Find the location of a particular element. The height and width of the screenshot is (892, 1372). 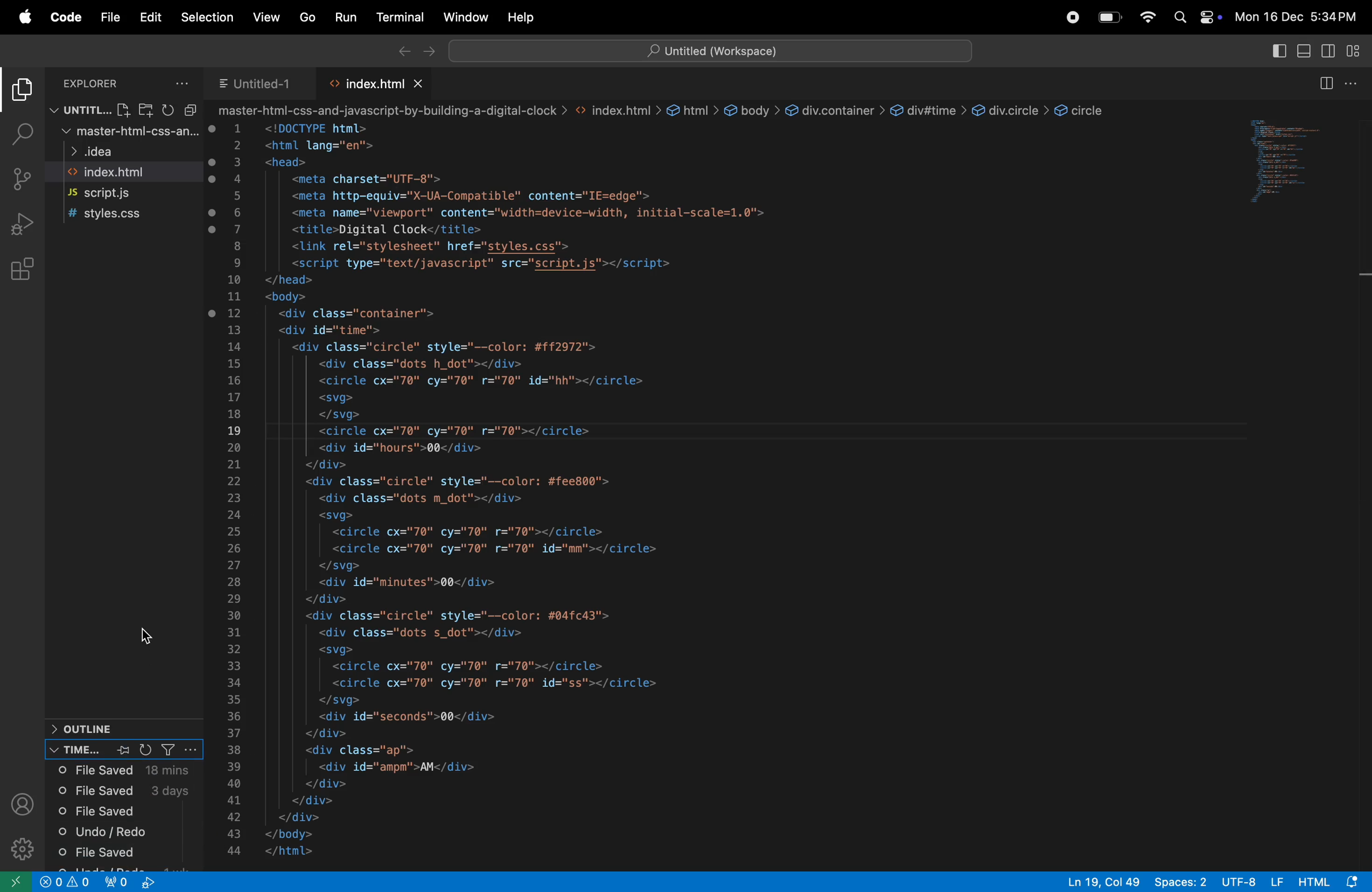

<meta name="viewport" content="width=device-width, initial-scale=1.0"> is located at coordinates (526, 212).